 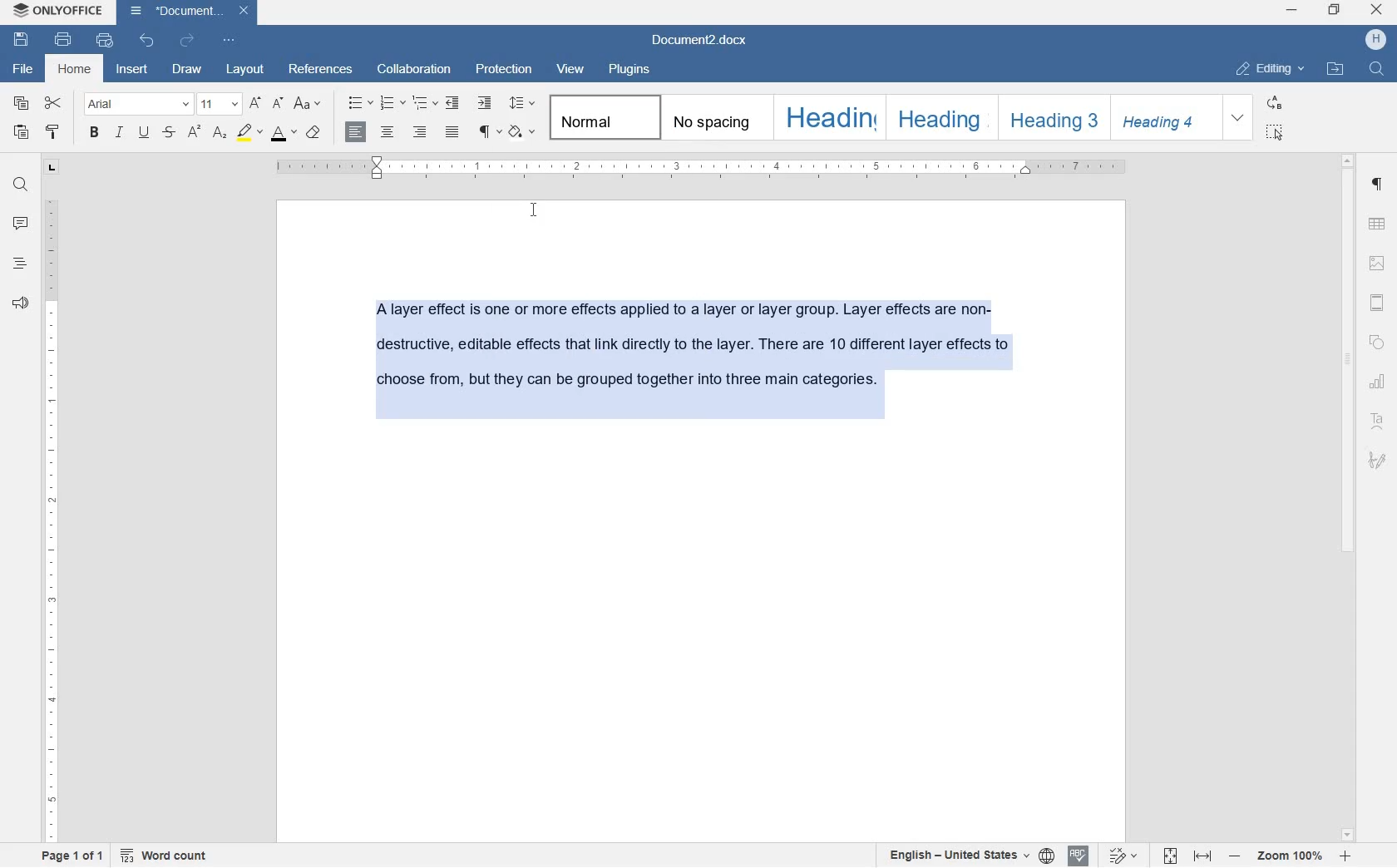 I want to click on comment, so click(x=22, y=223).